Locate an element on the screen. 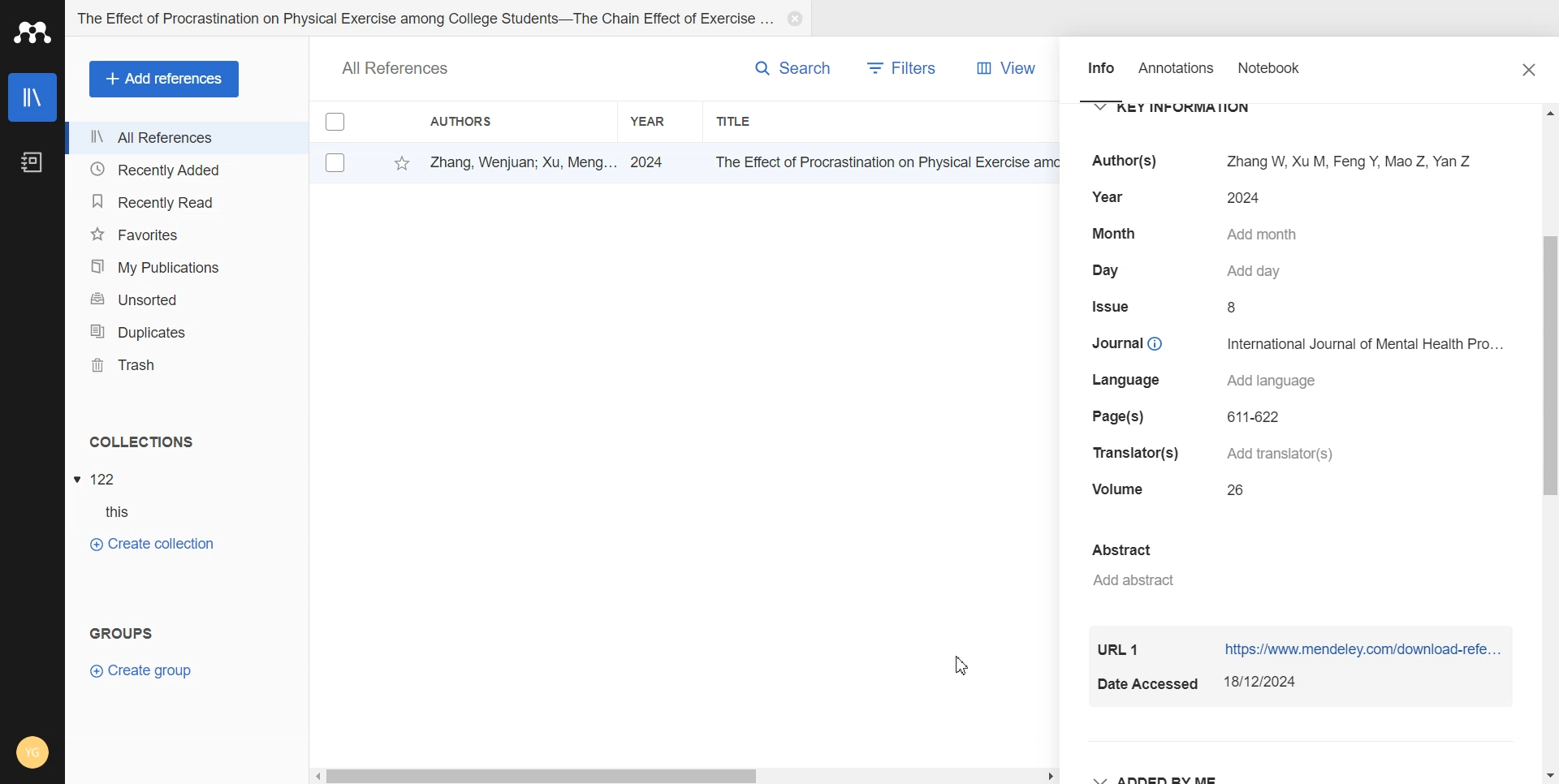 This screenshot has height=784, width=1559. Favorite is located at coordinates (396, 163).